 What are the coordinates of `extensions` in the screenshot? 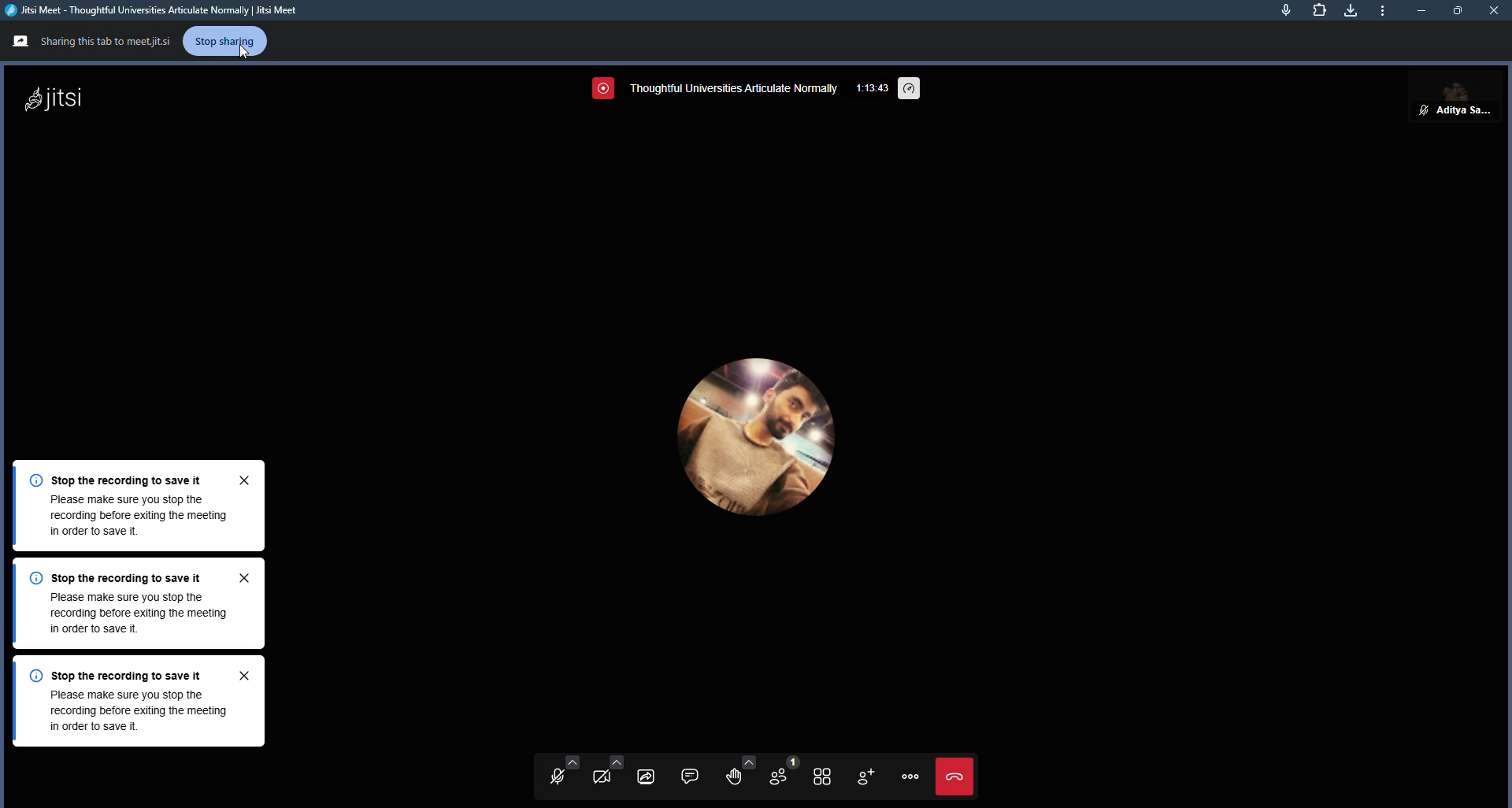 It's located at (1319, 9).